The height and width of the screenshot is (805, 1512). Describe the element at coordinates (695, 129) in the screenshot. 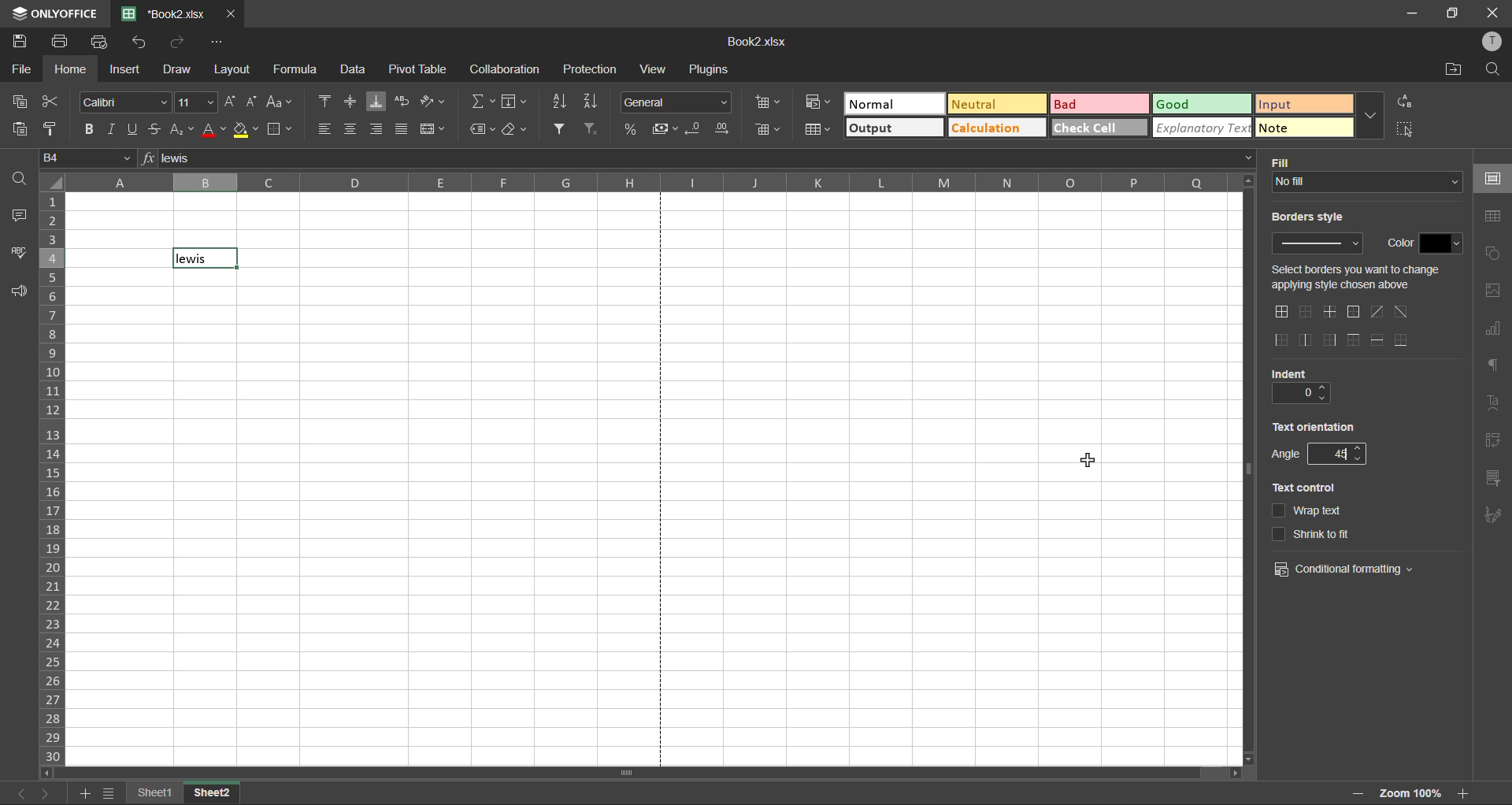

I see `decrease decimal` at that location.